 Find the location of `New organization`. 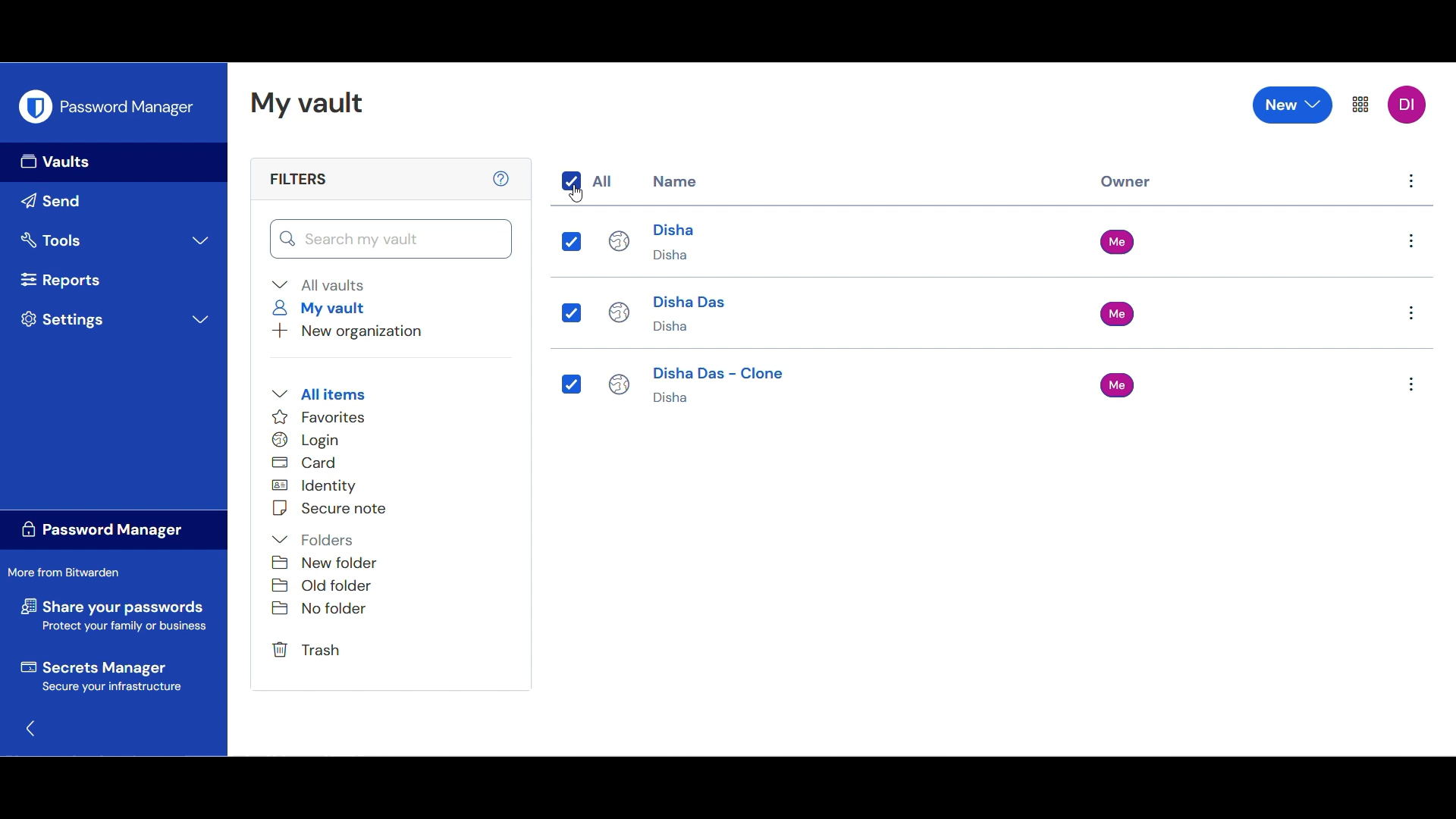

New organization is located at coordinates (347, 331).